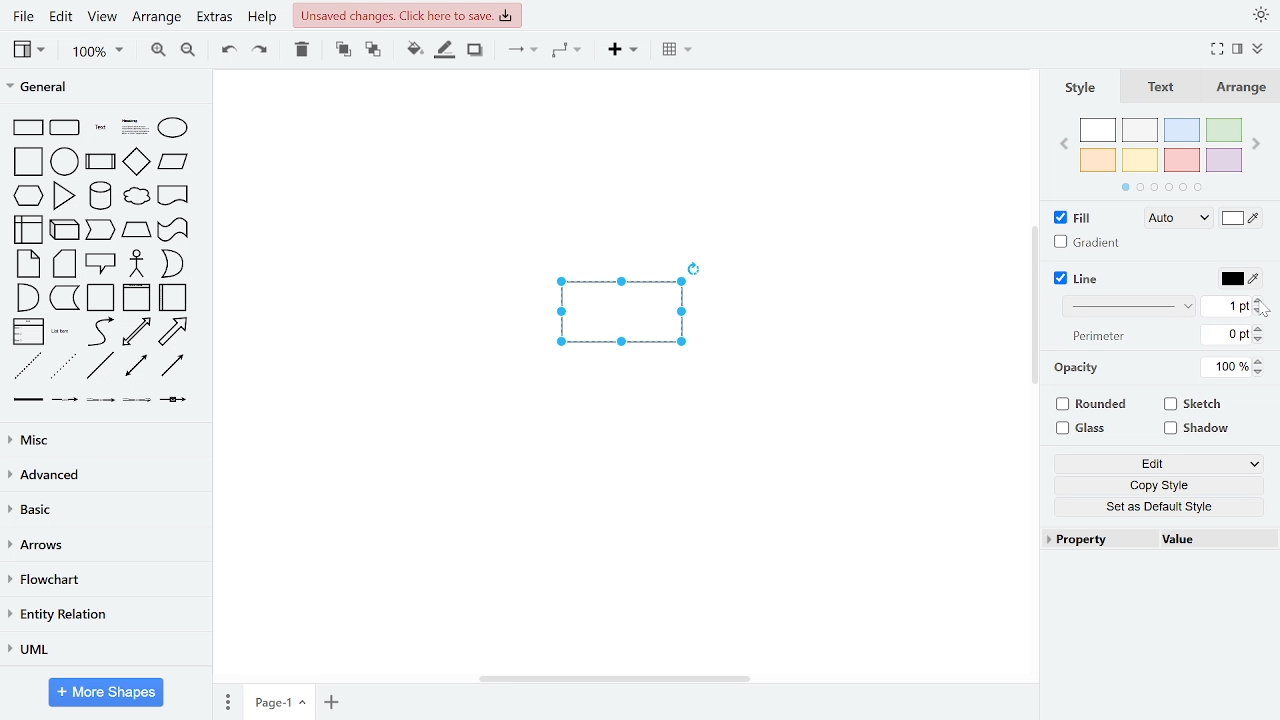 The height and width of the screenshot is (720, 1280). What do you see at coordinates (99, 230) in the screenshot?
I see `general shapes` at bounding box center [99, 230].